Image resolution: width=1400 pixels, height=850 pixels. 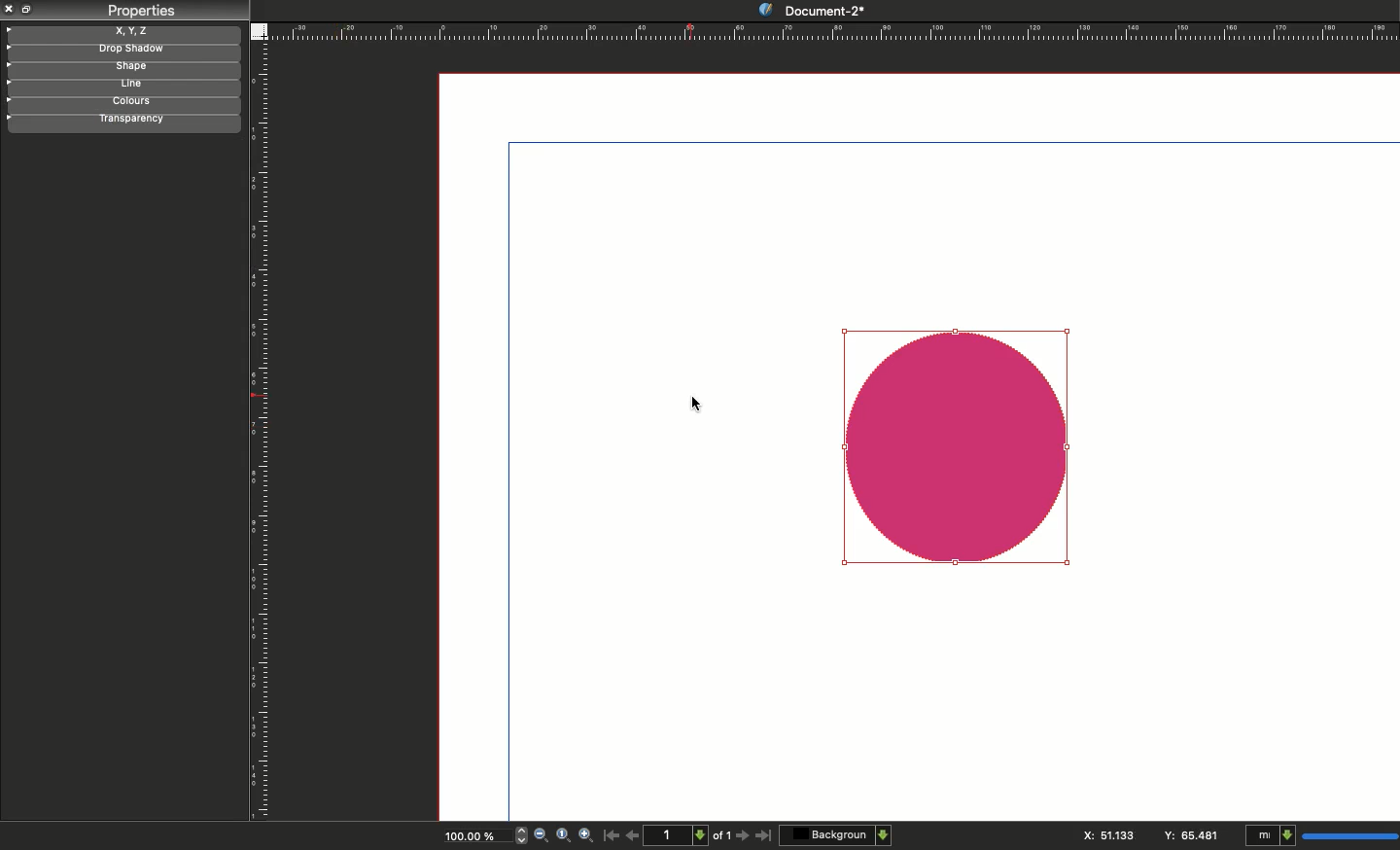 I want to click on Line, so click(x=119, y=86).